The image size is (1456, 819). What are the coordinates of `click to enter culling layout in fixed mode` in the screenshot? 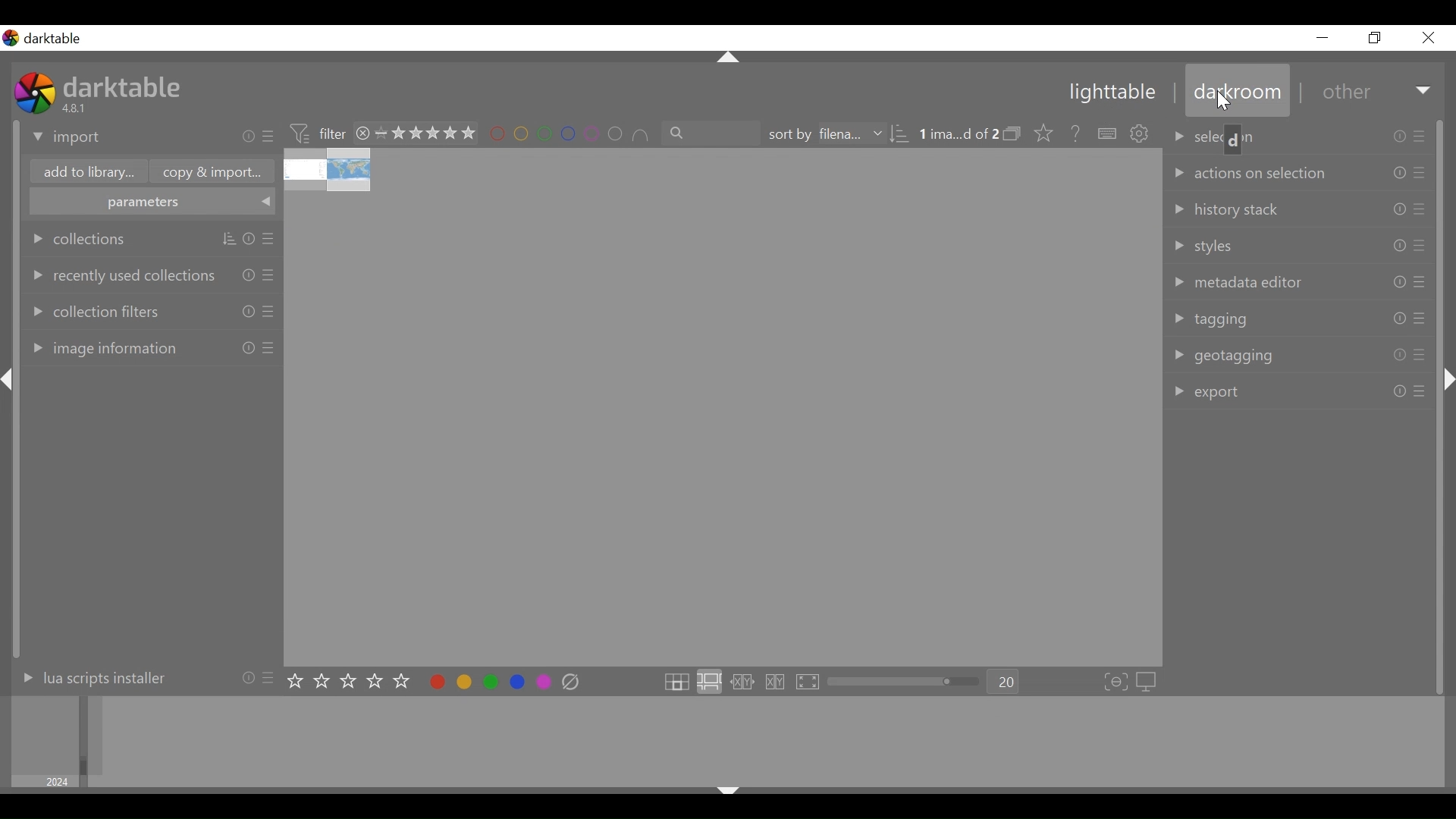 It's located at (740, 682).